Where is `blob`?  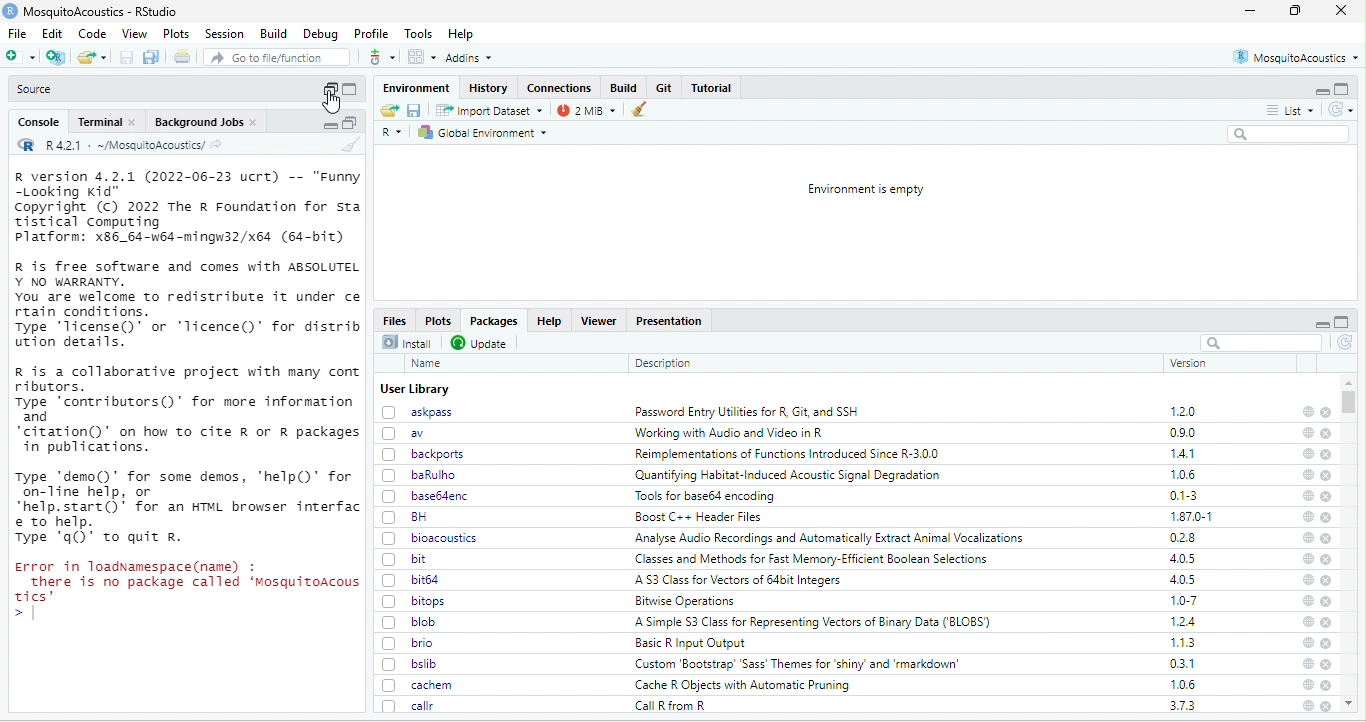
blob is located at coordinates (410, 622).